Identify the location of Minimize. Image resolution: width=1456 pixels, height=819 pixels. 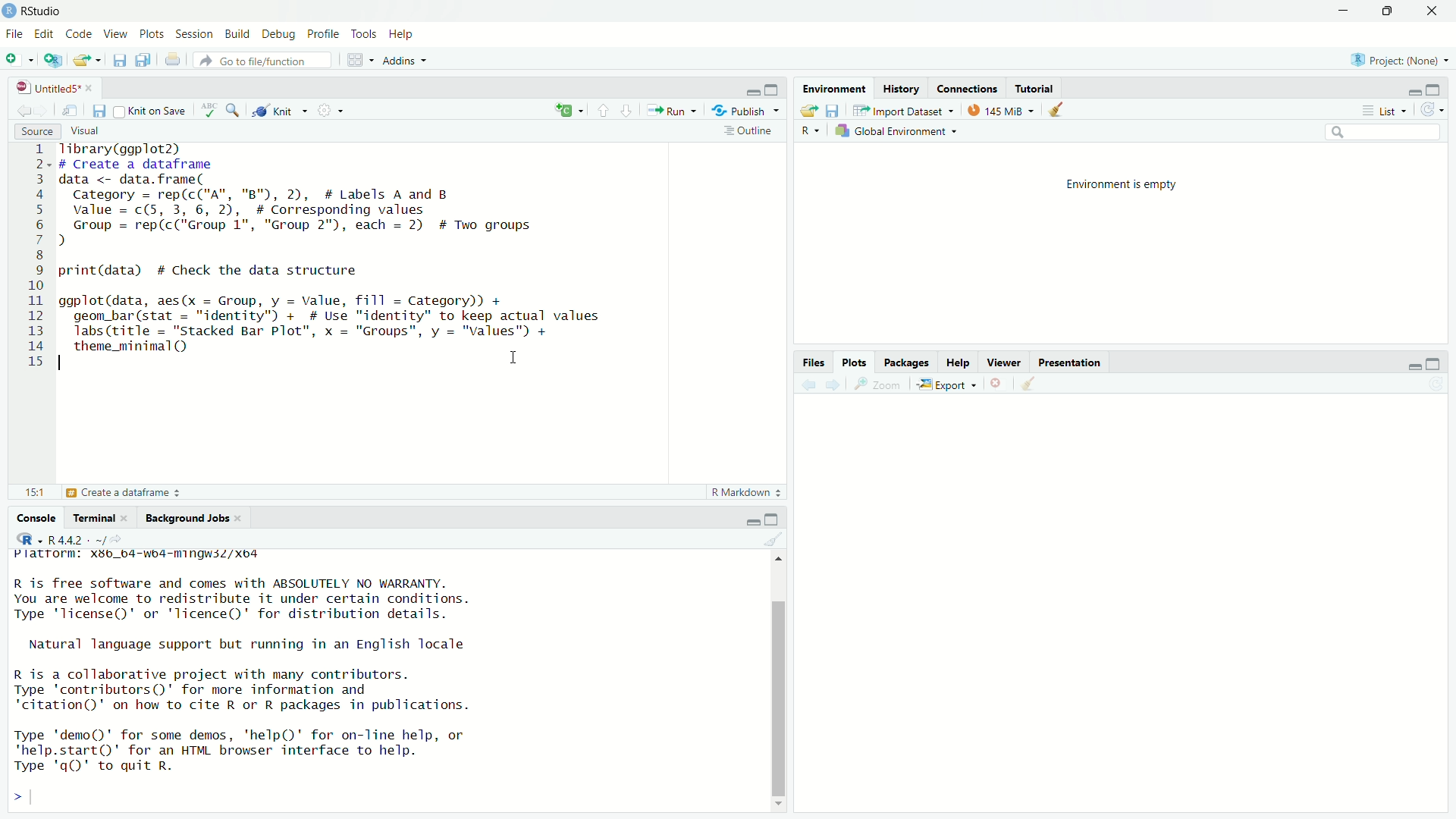
(1345, 11).